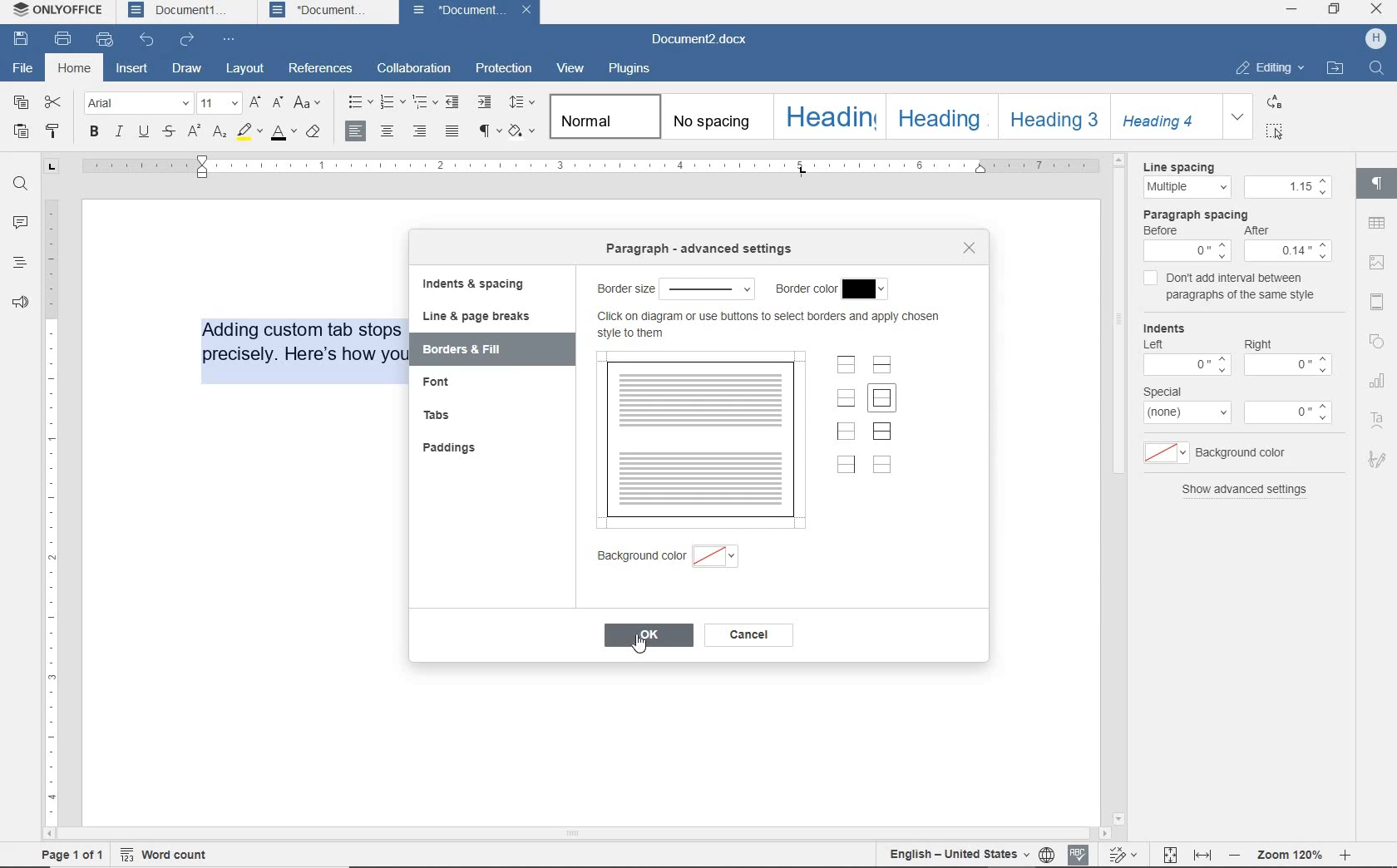 The height and width of the screenshot is (868, 1397). What do you see at coordinates (1158, 345) in the screenshot?
I see `Left` at bounding box center [1158, 345].